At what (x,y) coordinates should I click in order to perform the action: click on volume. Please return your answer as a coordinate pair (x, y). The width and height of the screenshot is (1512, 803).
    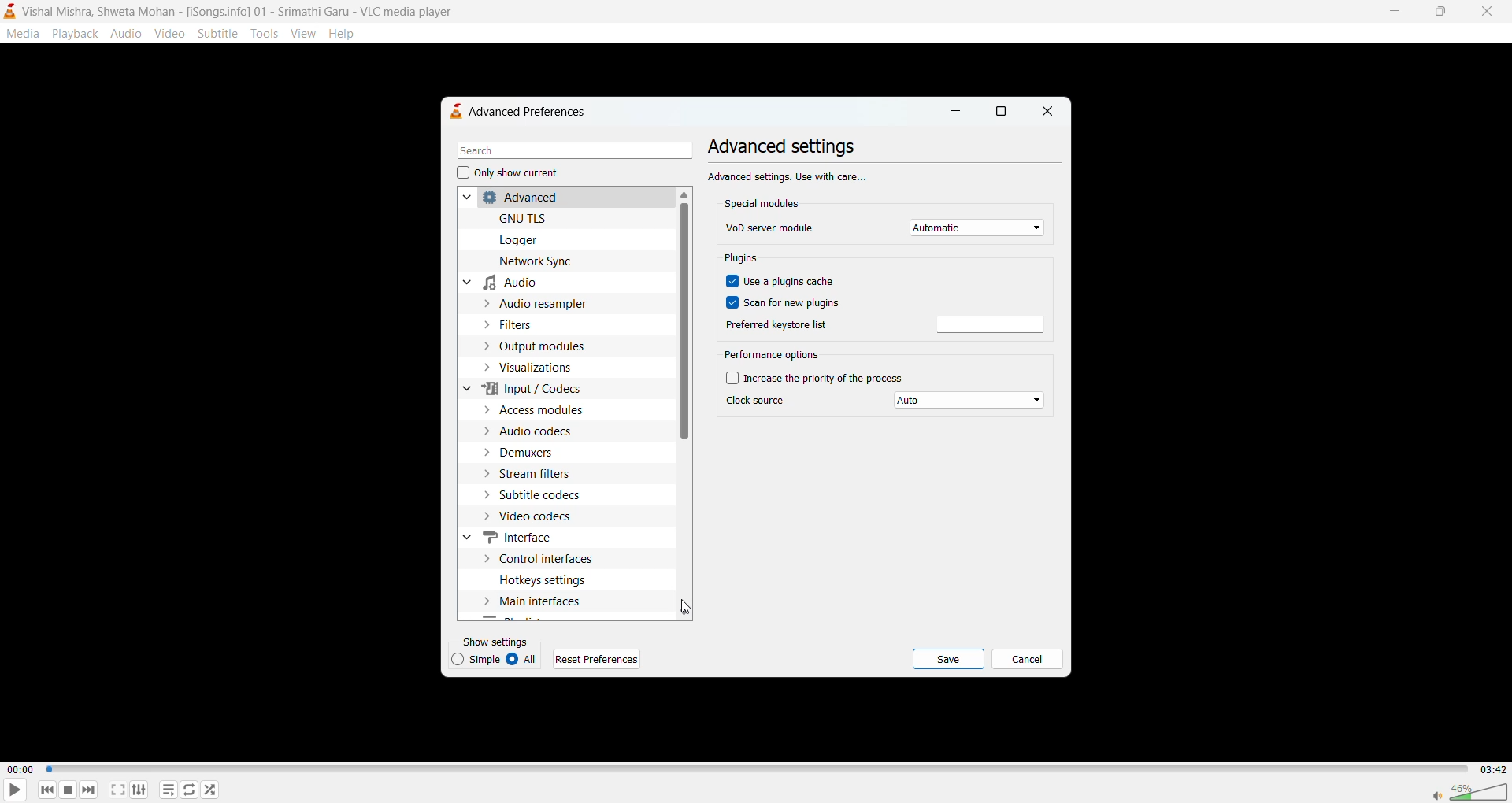
    Looking at the image, I should click on (1469, 790).